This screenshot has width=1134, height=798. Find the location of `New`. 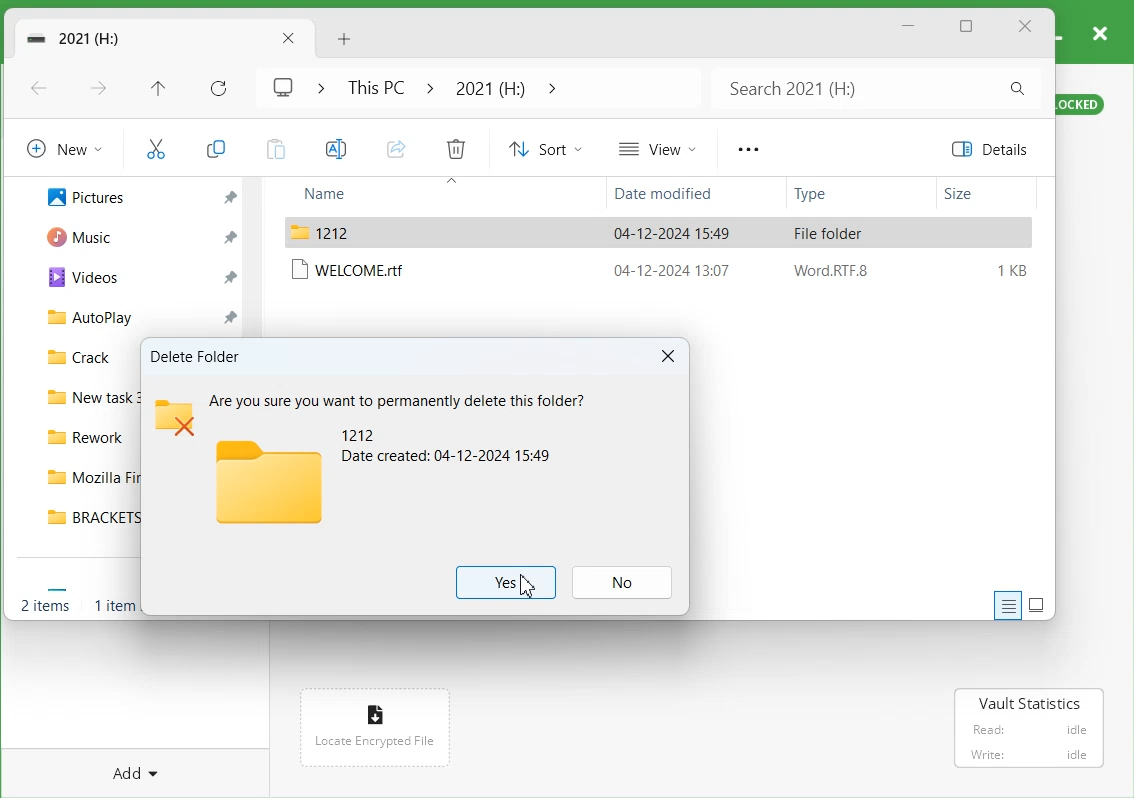

New is located at coordinates (64, 147).